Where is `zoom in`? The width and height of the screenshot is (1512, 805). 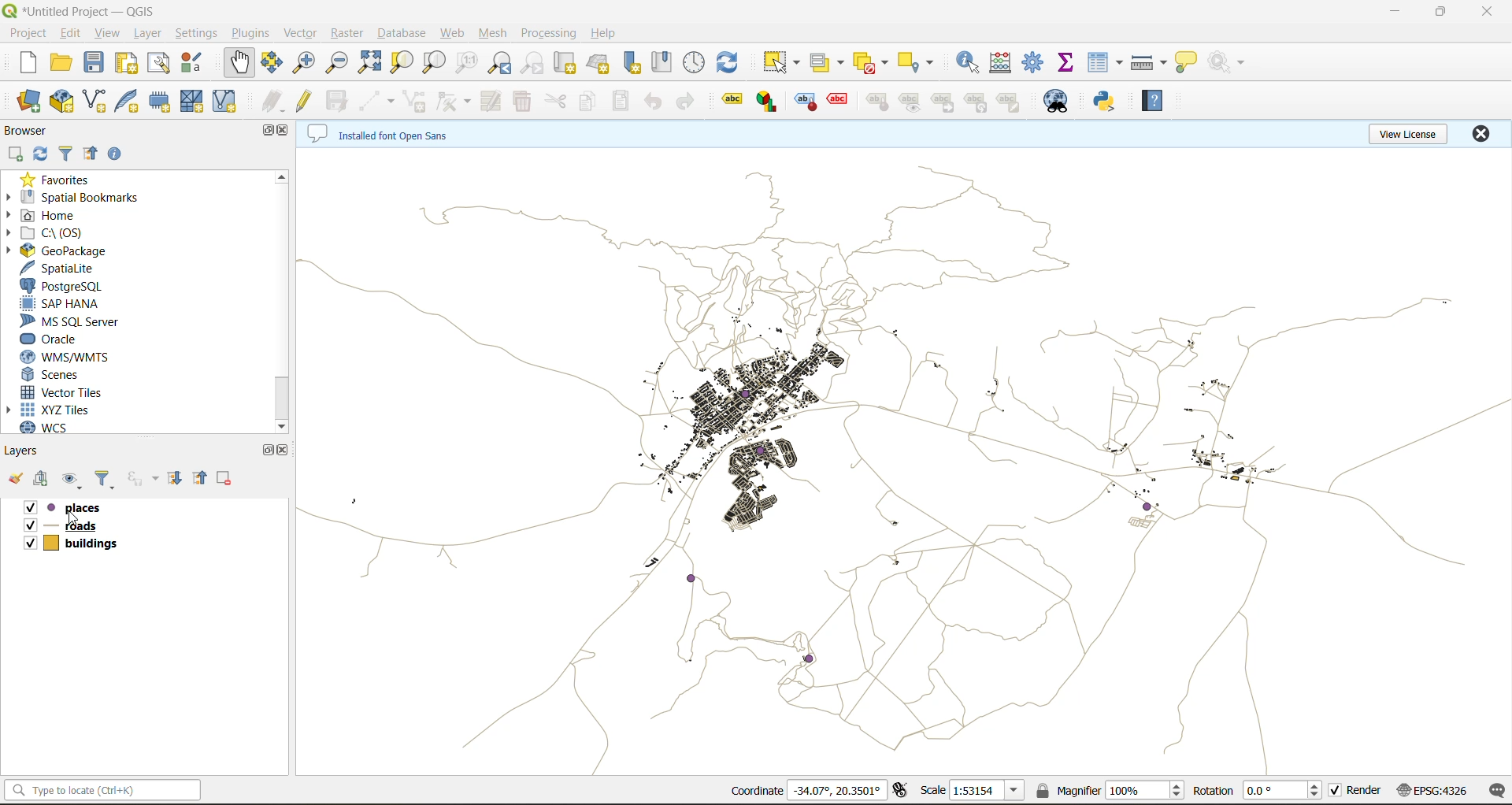 zoom in is located at coordinates (306, 65).